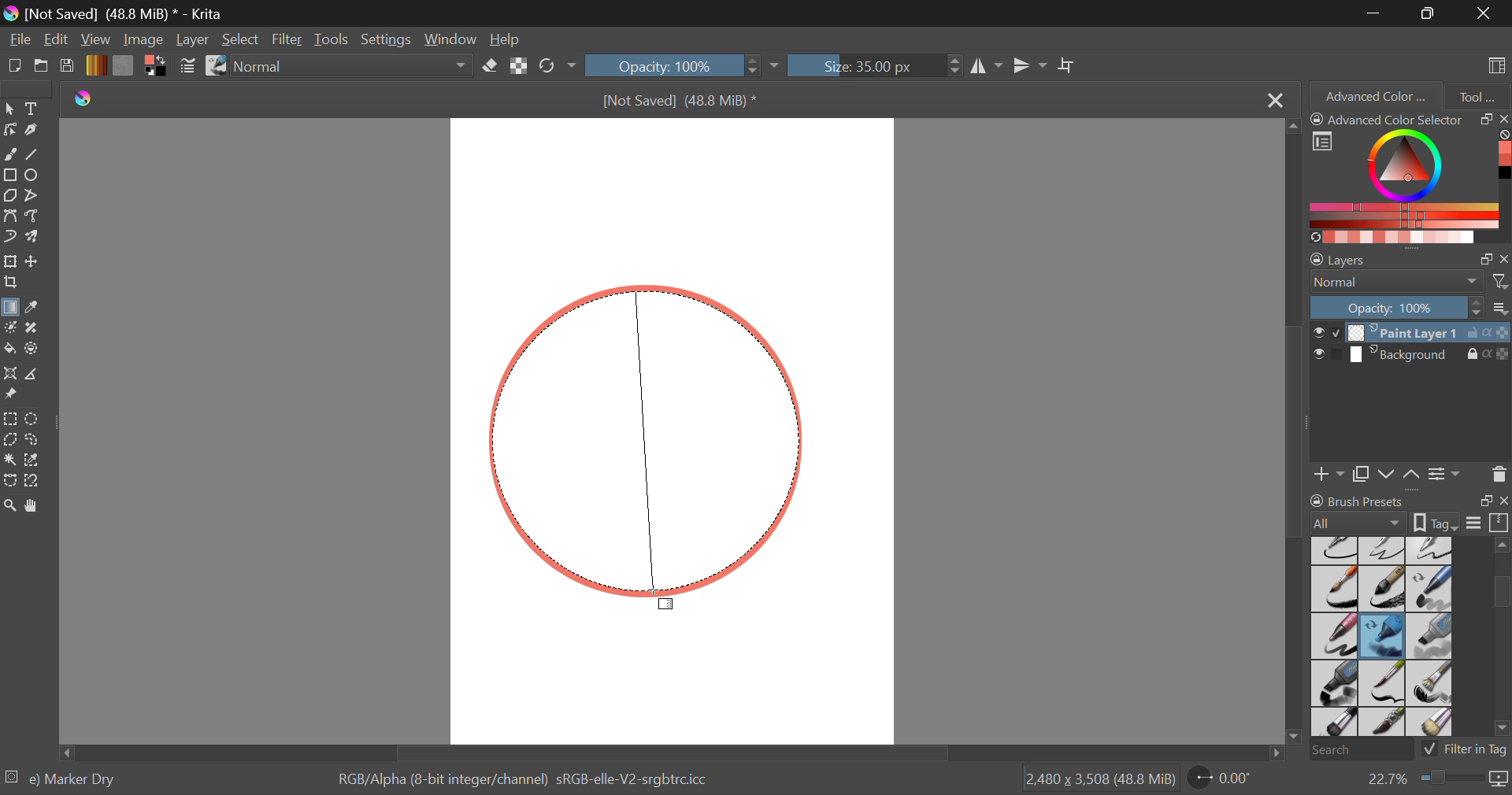  I want to click on Brush Settings, so click(187, 67).